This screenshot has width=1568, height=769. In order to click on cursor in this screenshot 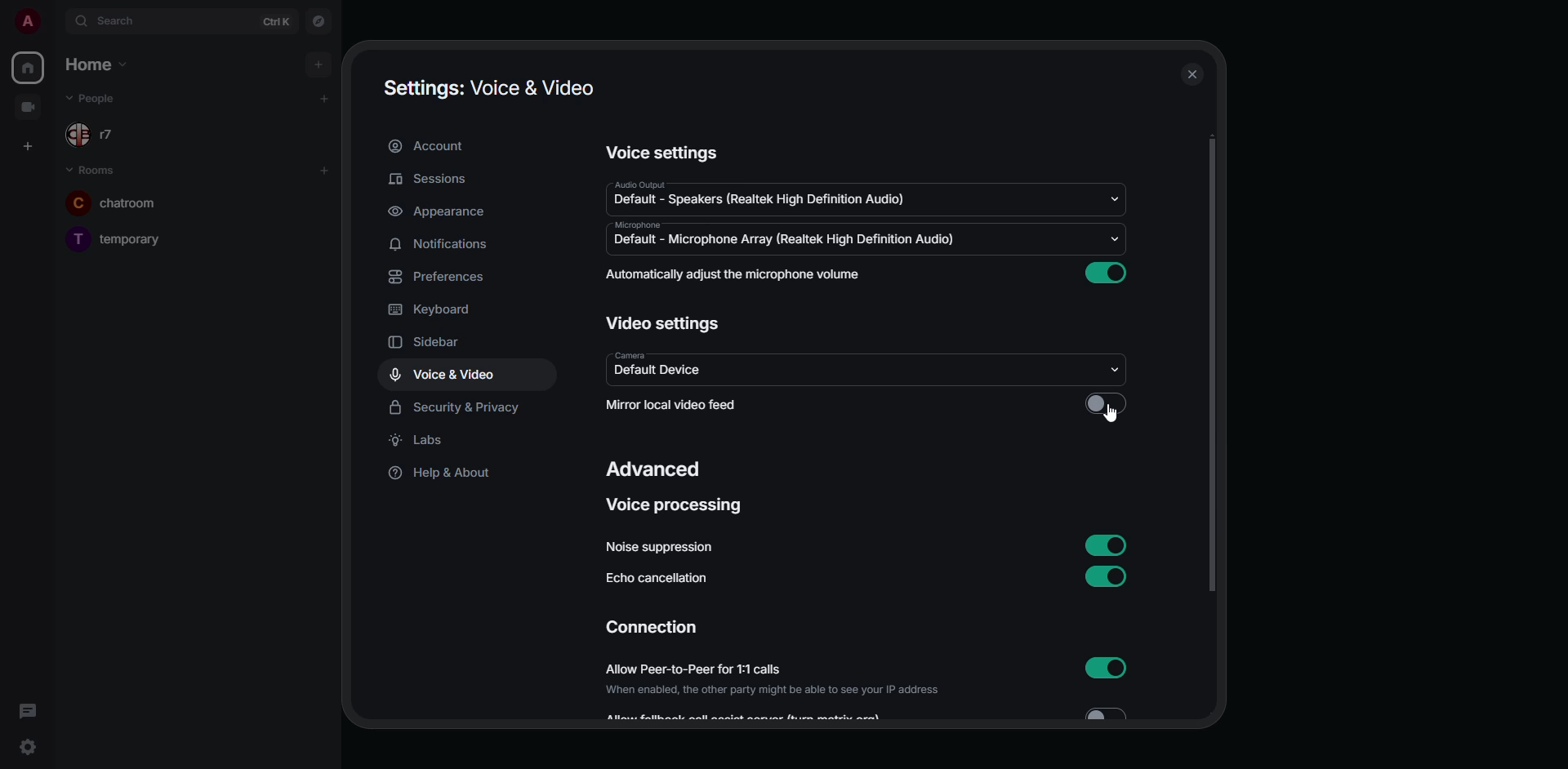, I will do `click(1114, 417)`.